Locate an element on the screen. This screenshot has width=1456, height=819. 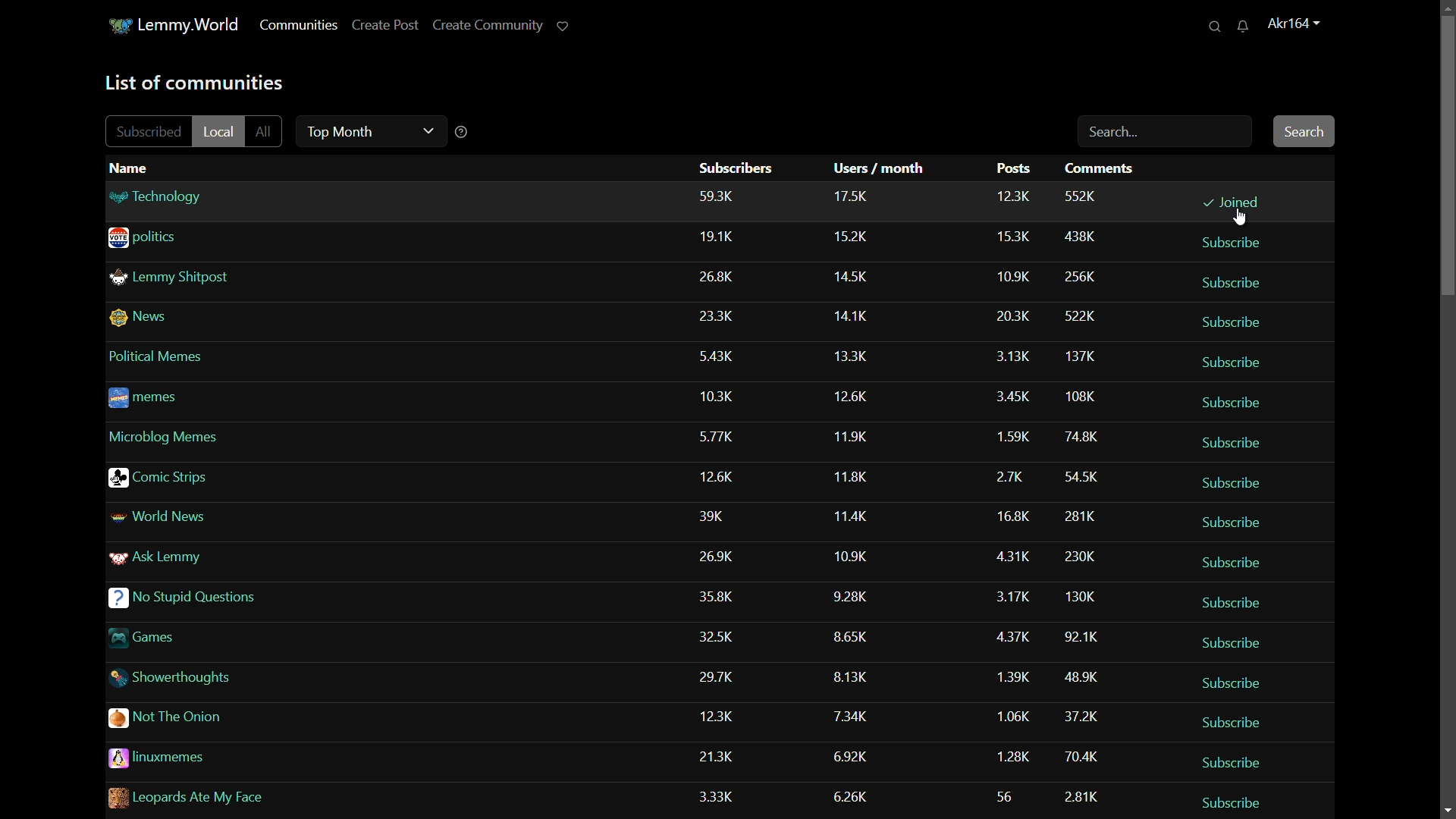
subscribe/unsubscribe is located at coordinates (1231, 480).